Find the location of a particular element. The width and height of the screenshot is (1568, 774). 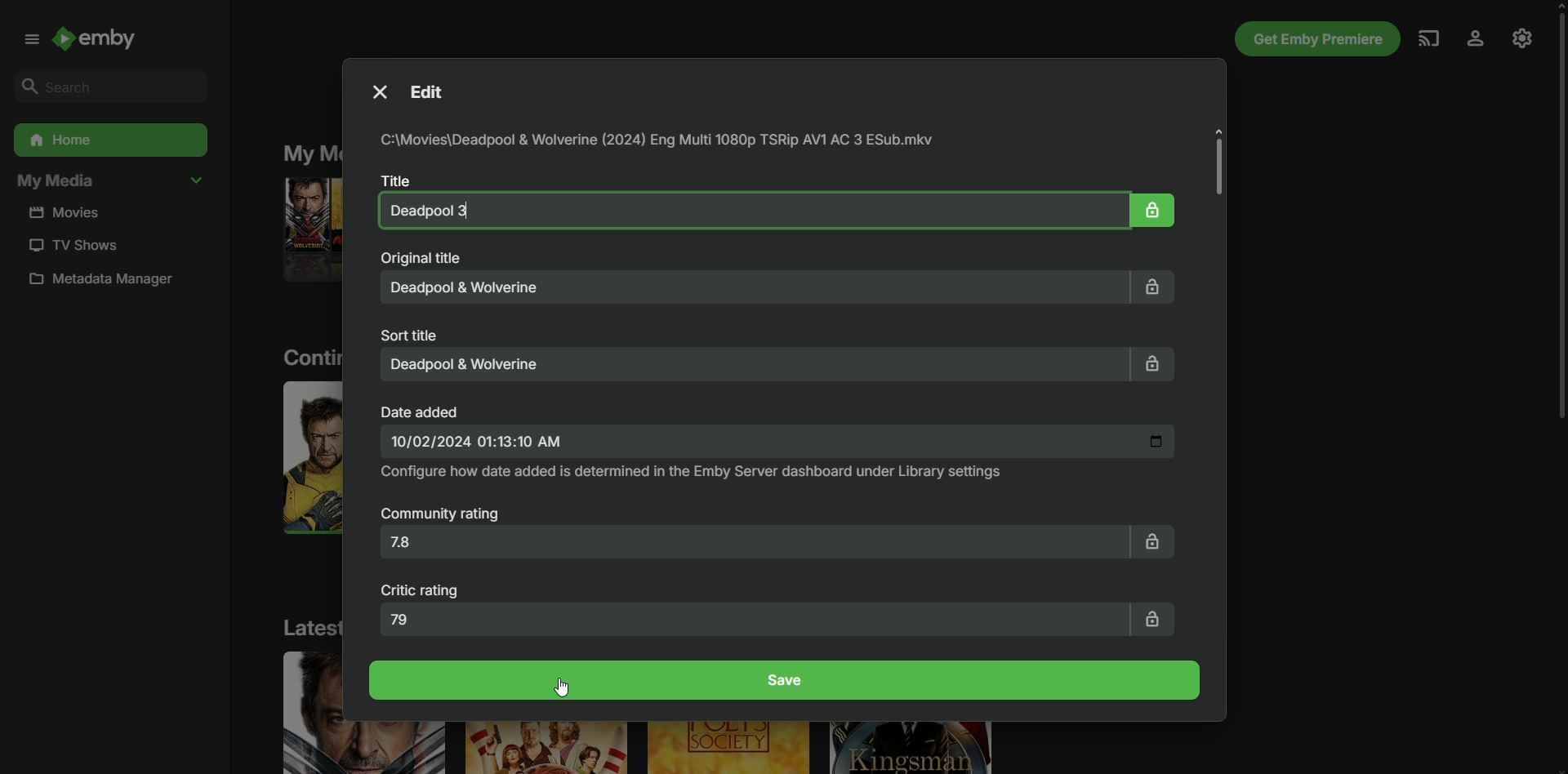

Settings is located at coordinates (1522, 37).